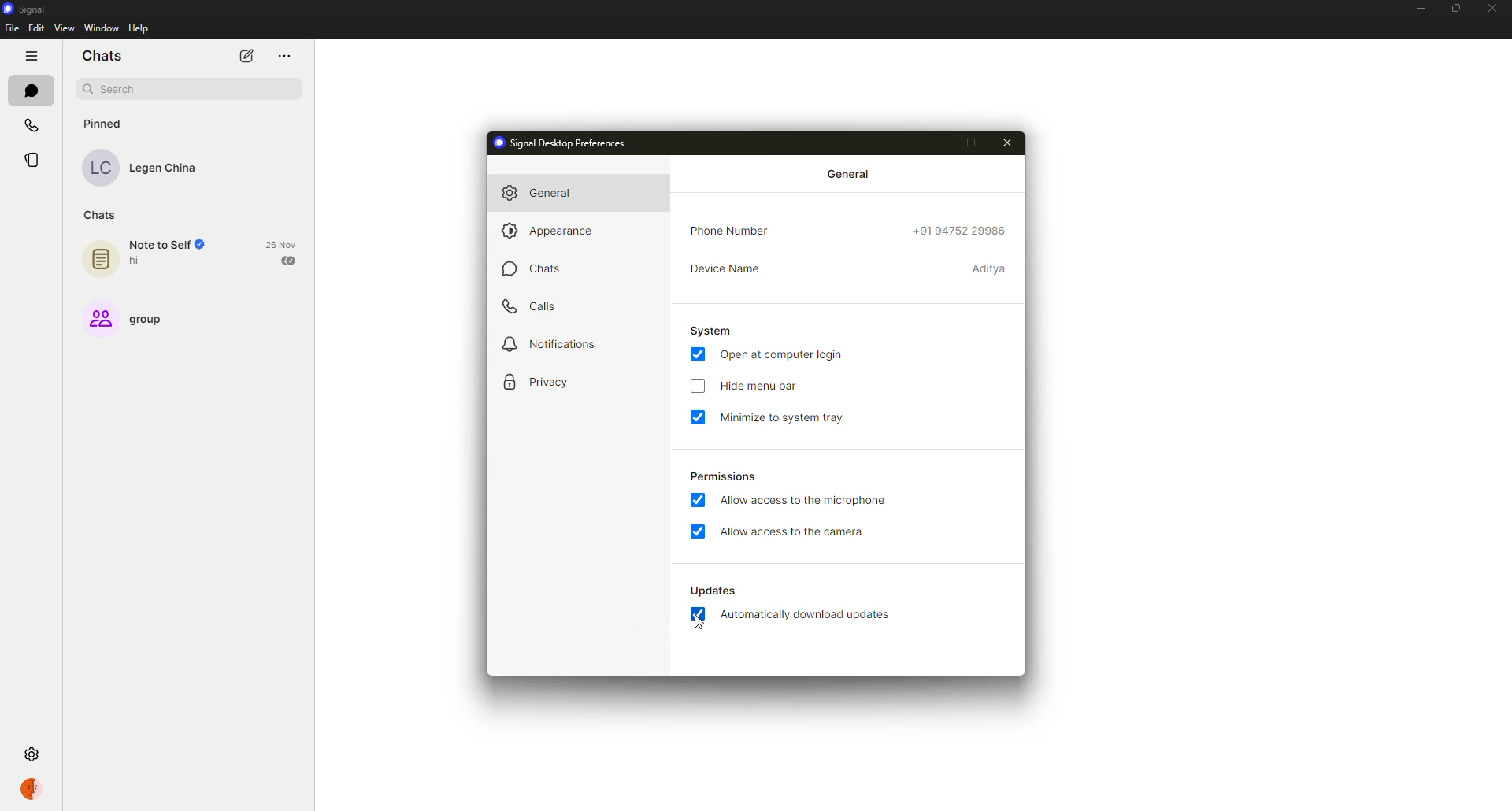 The width and height of the screenshot is (1512, 811). I want to click on window, so click(101, 27).